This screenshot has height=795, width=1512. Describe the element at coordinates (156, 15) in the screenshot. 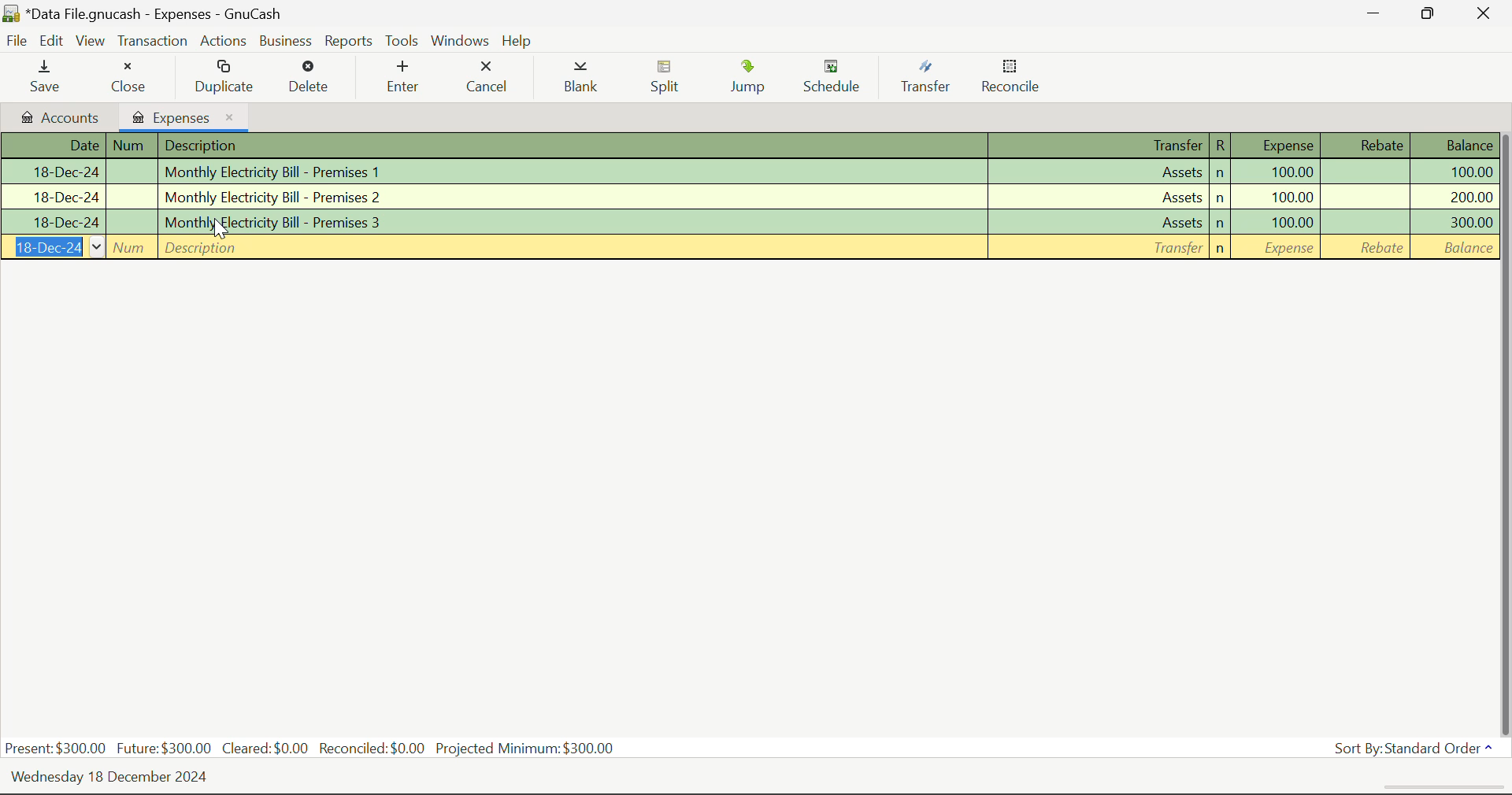

I see `Data File.gnucash - Accounts - Gnucash` at that location.